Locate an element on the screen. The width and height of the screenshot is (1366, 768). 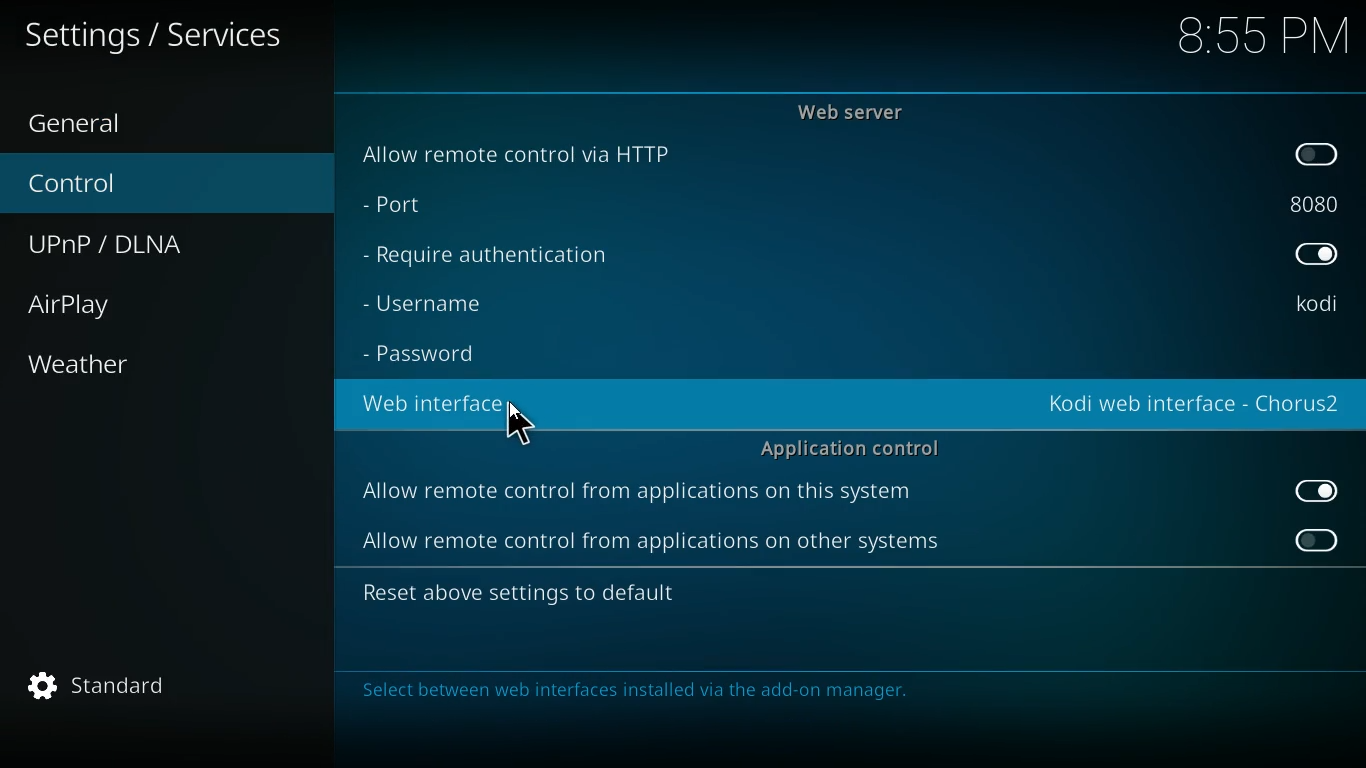
8080 is located at coordinates (1313, 201).